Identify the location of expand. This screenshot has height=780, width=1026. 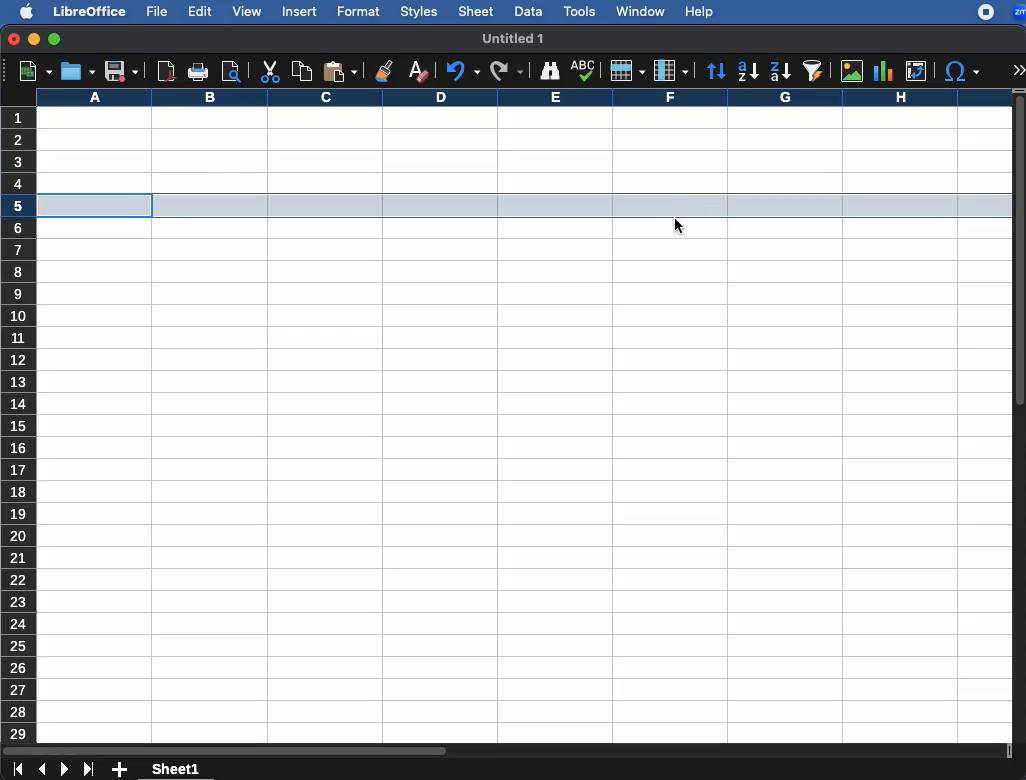
(1019, 66).